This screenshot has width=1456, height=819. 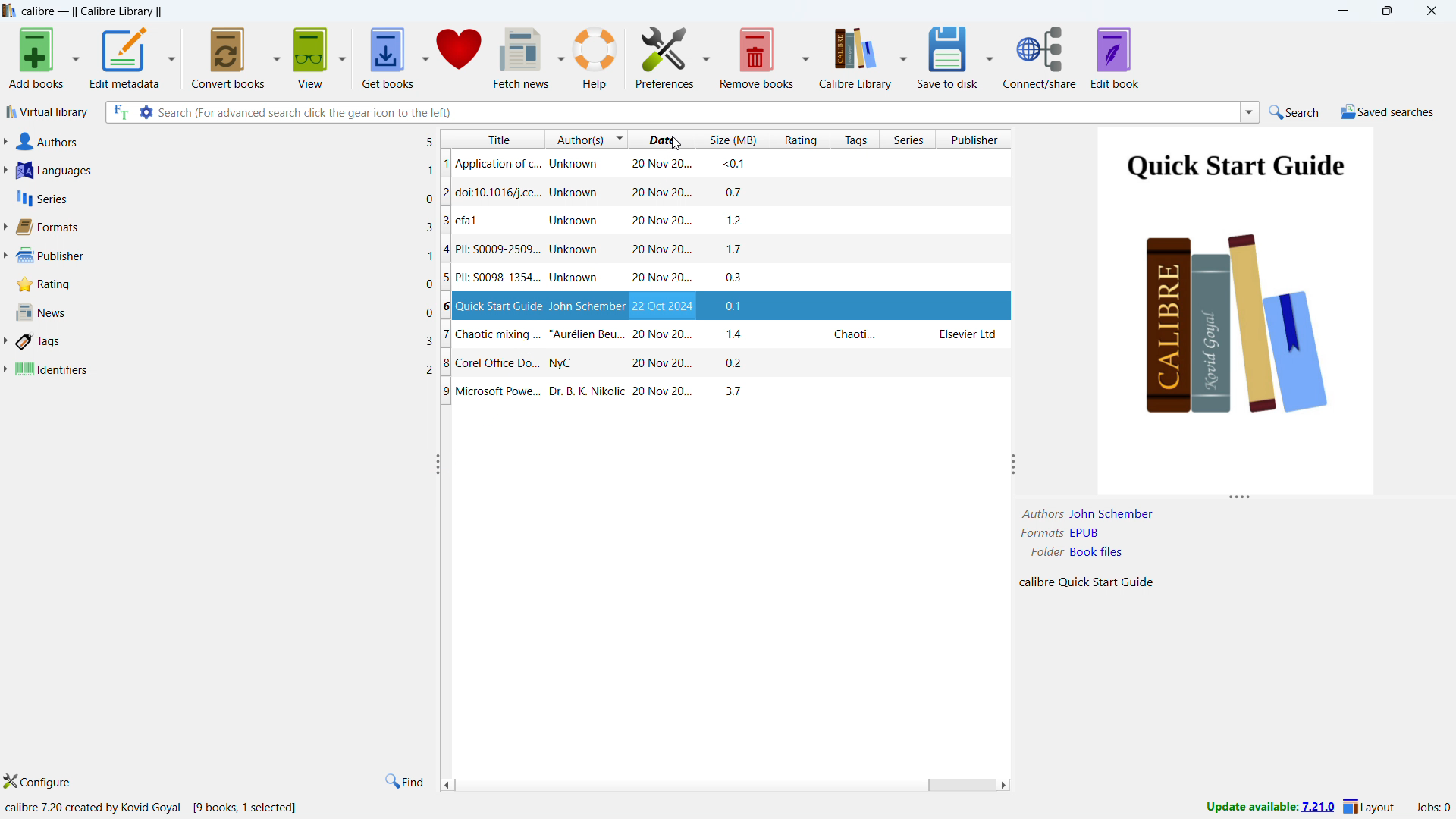 What do you see at coordinates (491, 193) in the screenshot?
I see `doi10i:10.1016/).ce.` at bounding box center [491, 193].